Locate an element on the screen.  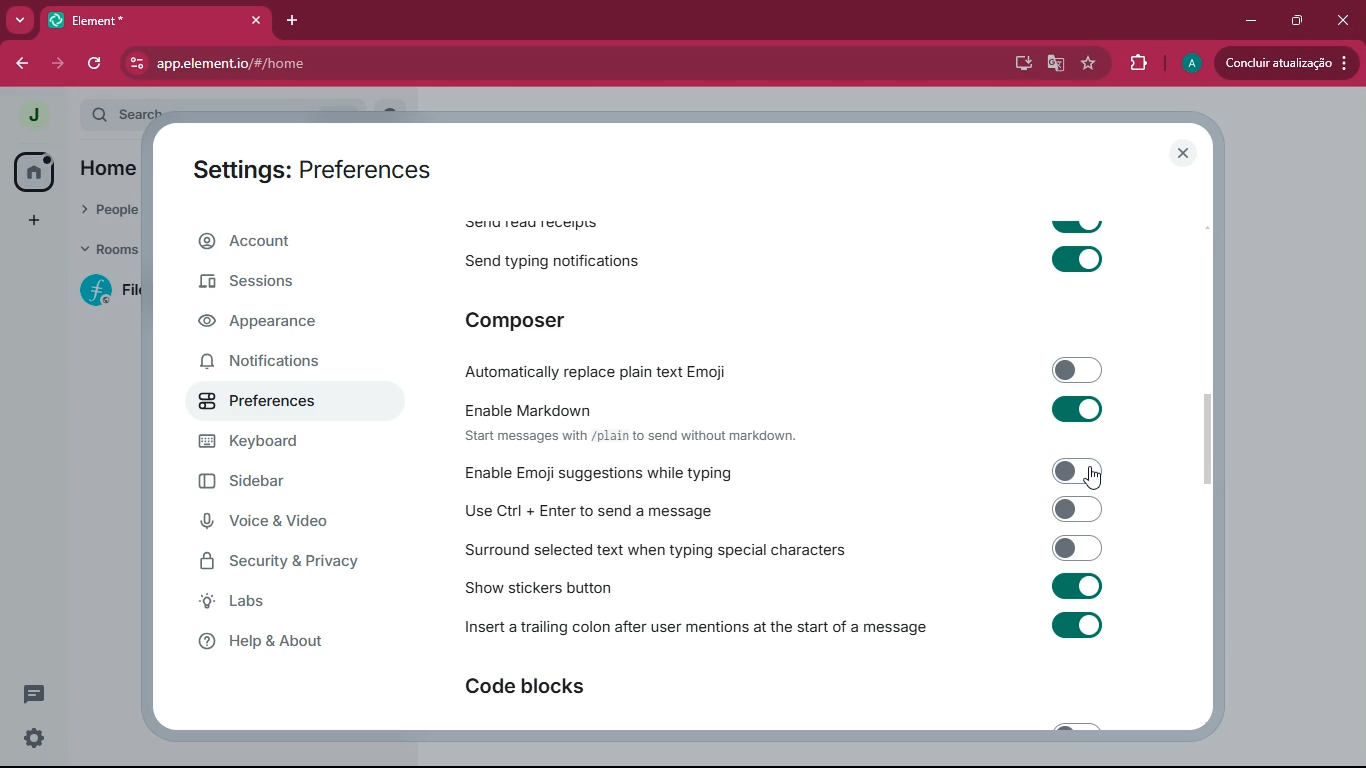
code blocks is located at coordinates (562, 688).